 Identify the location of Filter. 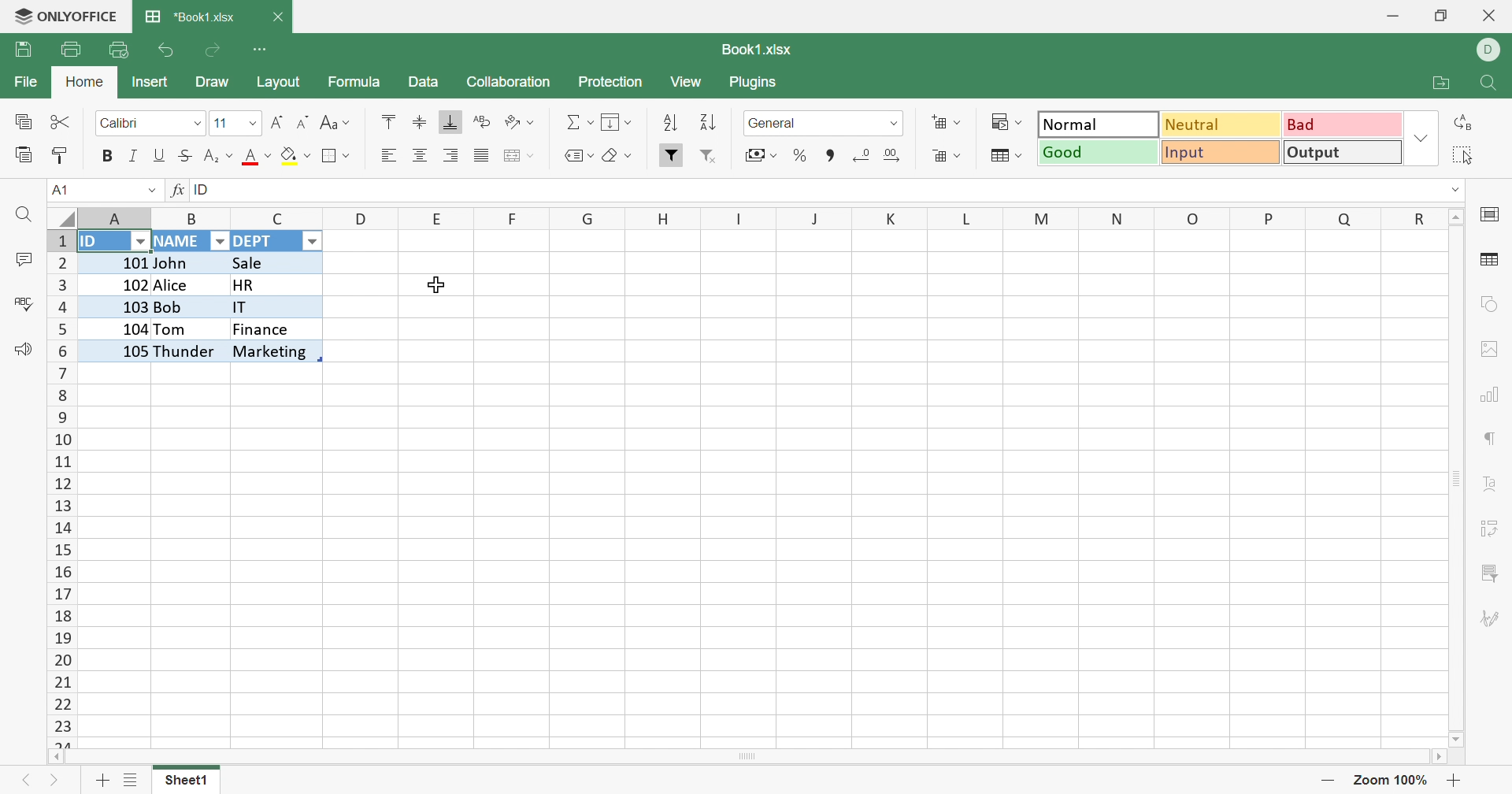
(673, 156).